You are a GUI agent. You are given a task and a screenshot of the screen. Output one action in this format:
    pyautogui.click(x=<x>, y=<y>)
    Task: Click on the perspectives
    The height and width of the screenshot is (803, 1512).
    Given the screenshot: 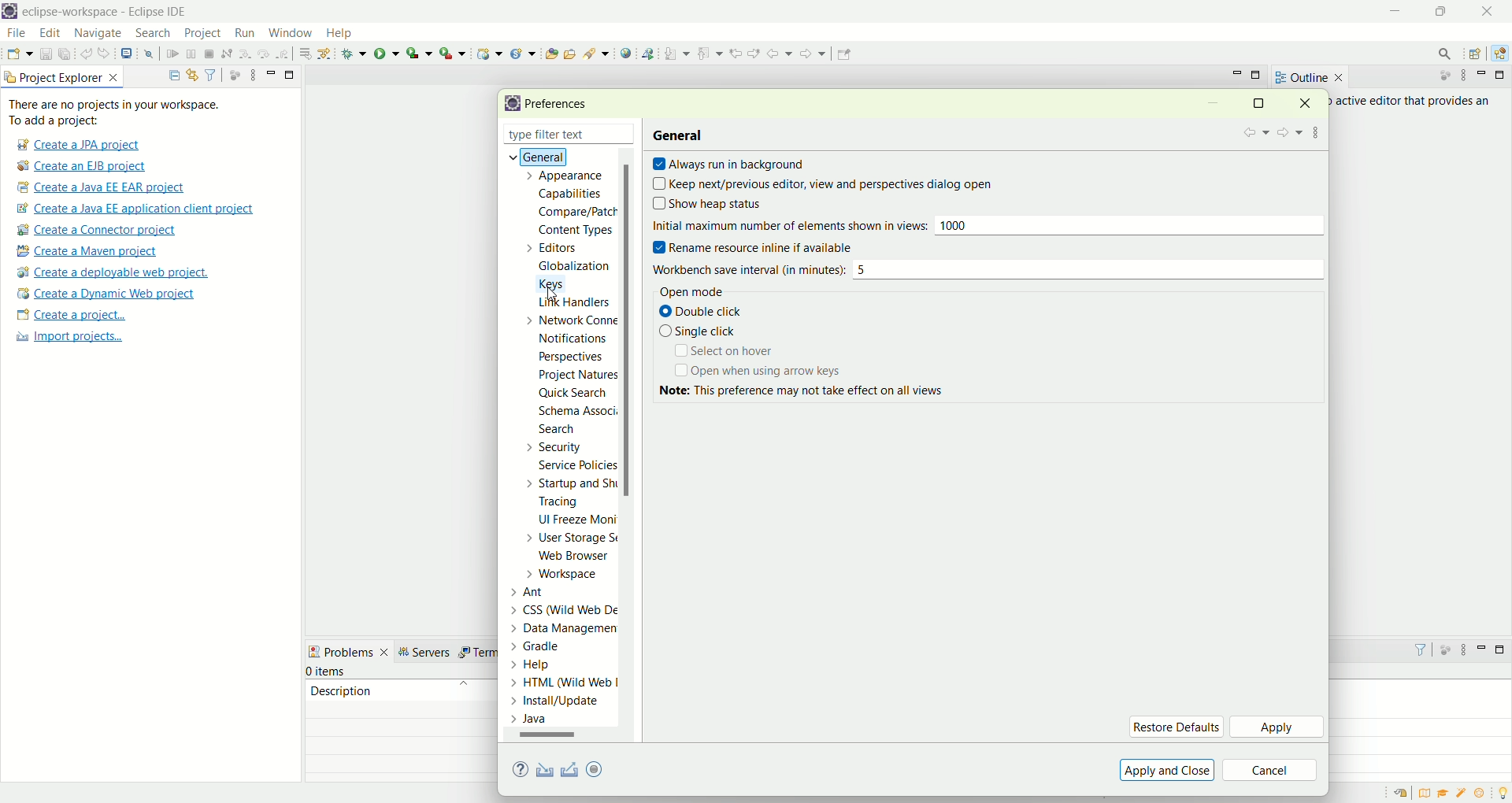 What is the action you would take?
    pyautogui.click(x=569, y=357)
    